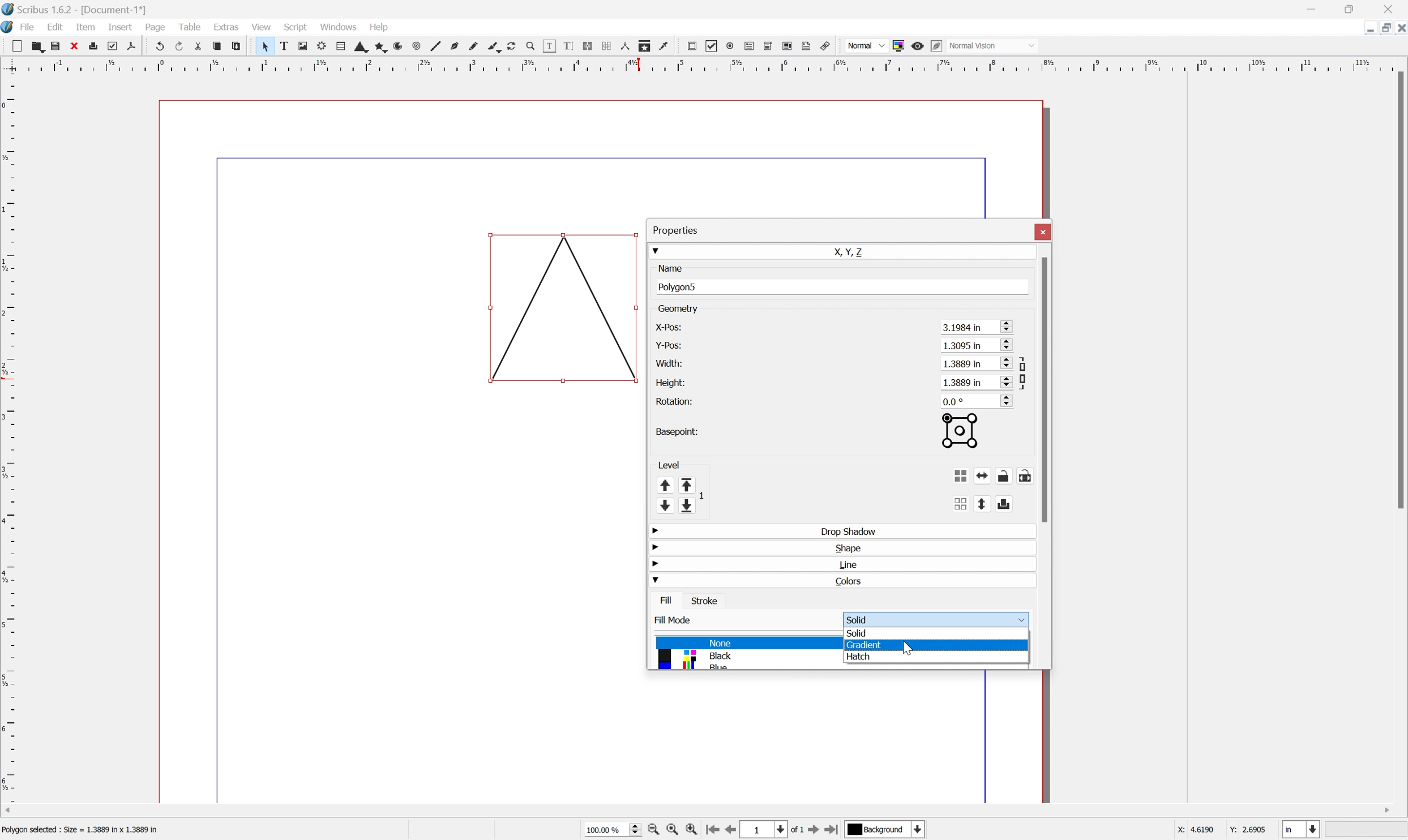 The width and height of the screenshot is (1408, 840). Describe the element at coordinates (668, 327) in the screenshot. I see `X-pos:` at that location.